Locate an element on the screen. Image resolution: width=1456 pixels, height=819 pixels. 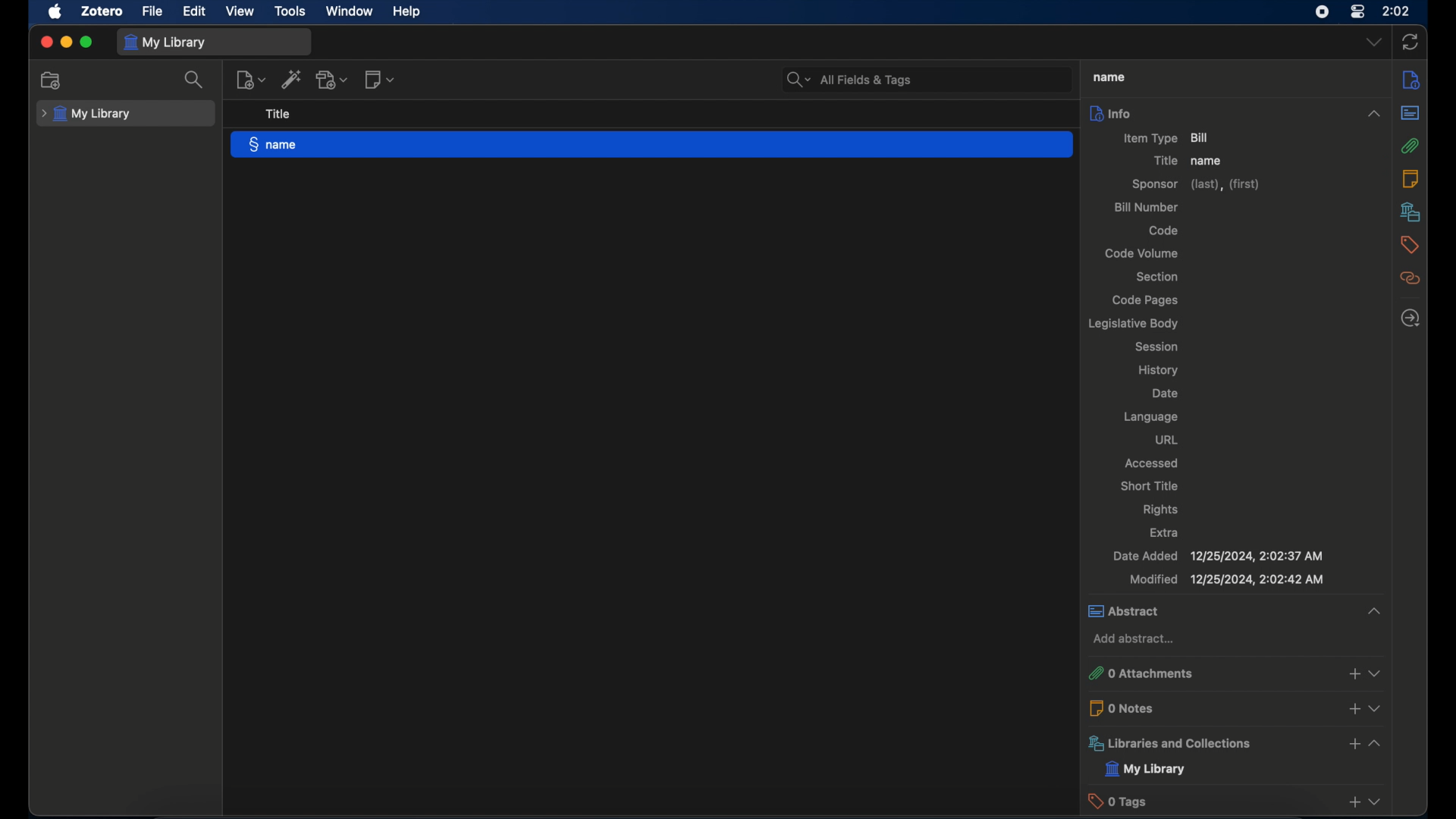
bill number is located at coordinates (1145, 208).